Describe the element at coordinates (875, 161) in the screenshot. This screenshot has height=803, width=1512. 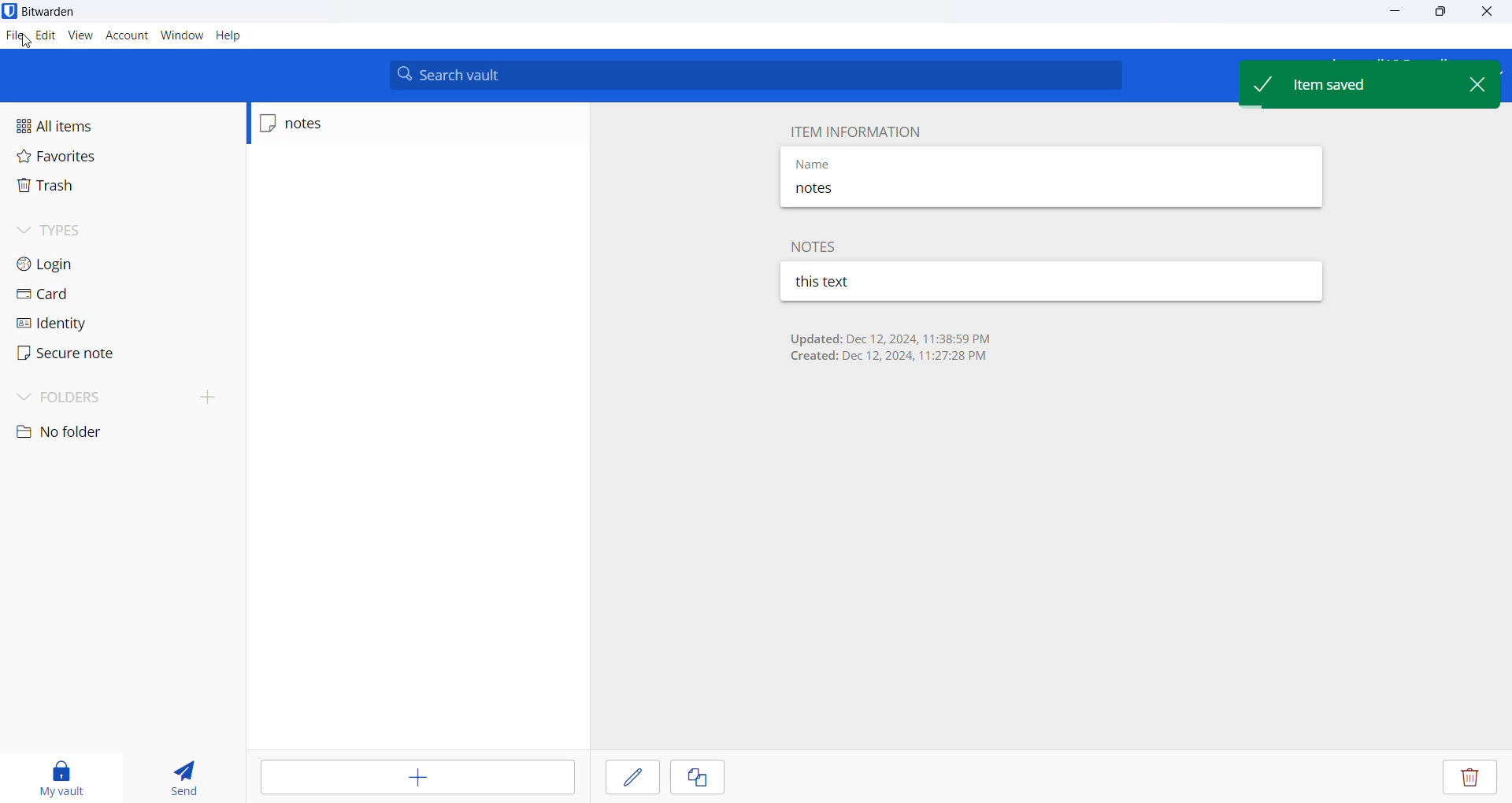
I see `name ` at that location.